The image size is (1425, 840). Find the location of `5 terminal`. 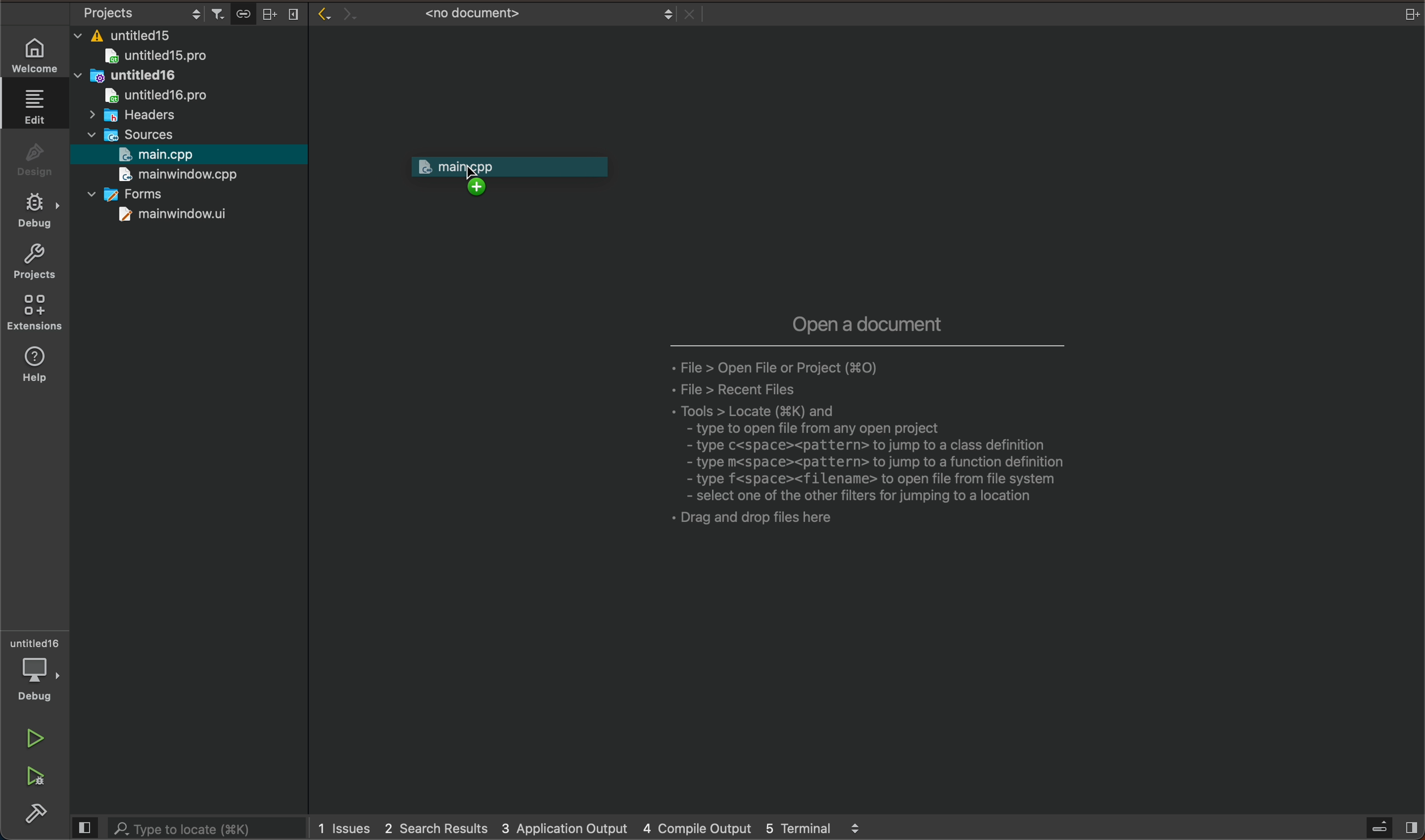

5 terminal is located at coordinates (829, 828).